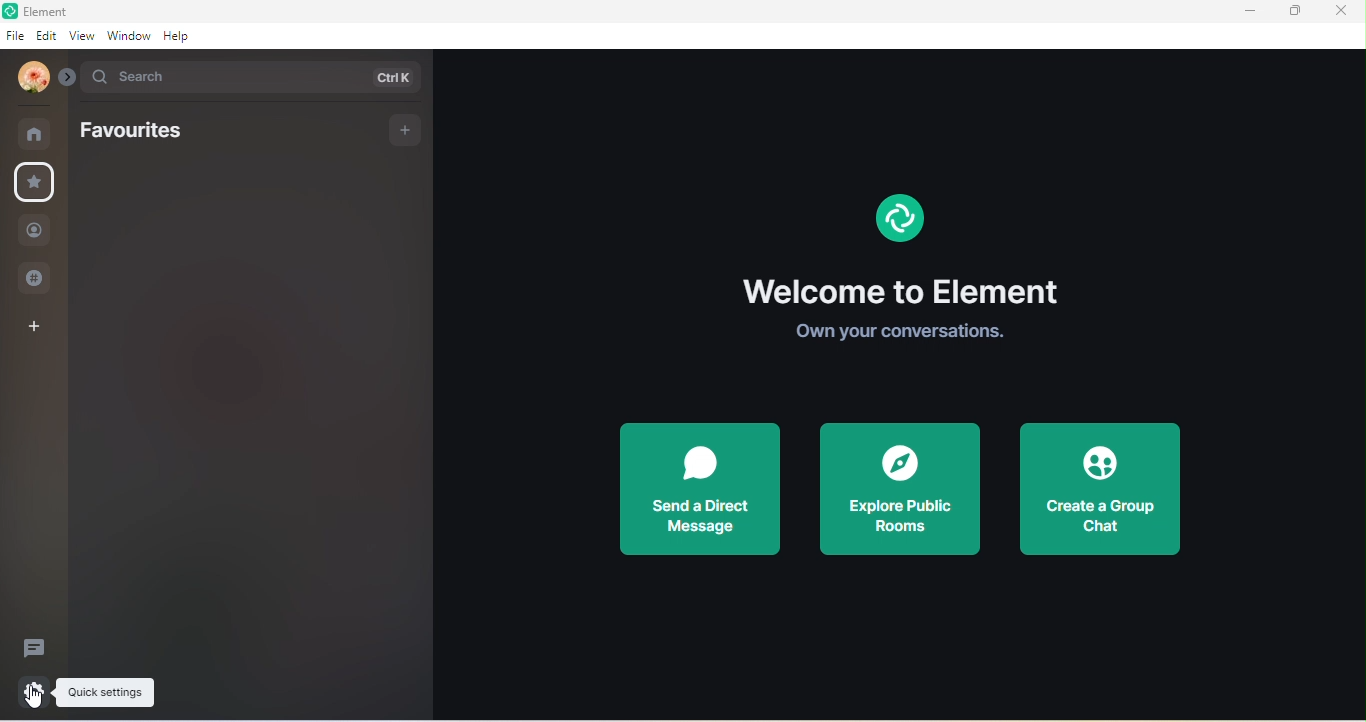  What do you see at coordinates (37, 183) in the screenshot?
I see `favourite` at bounding box center [37, 183].